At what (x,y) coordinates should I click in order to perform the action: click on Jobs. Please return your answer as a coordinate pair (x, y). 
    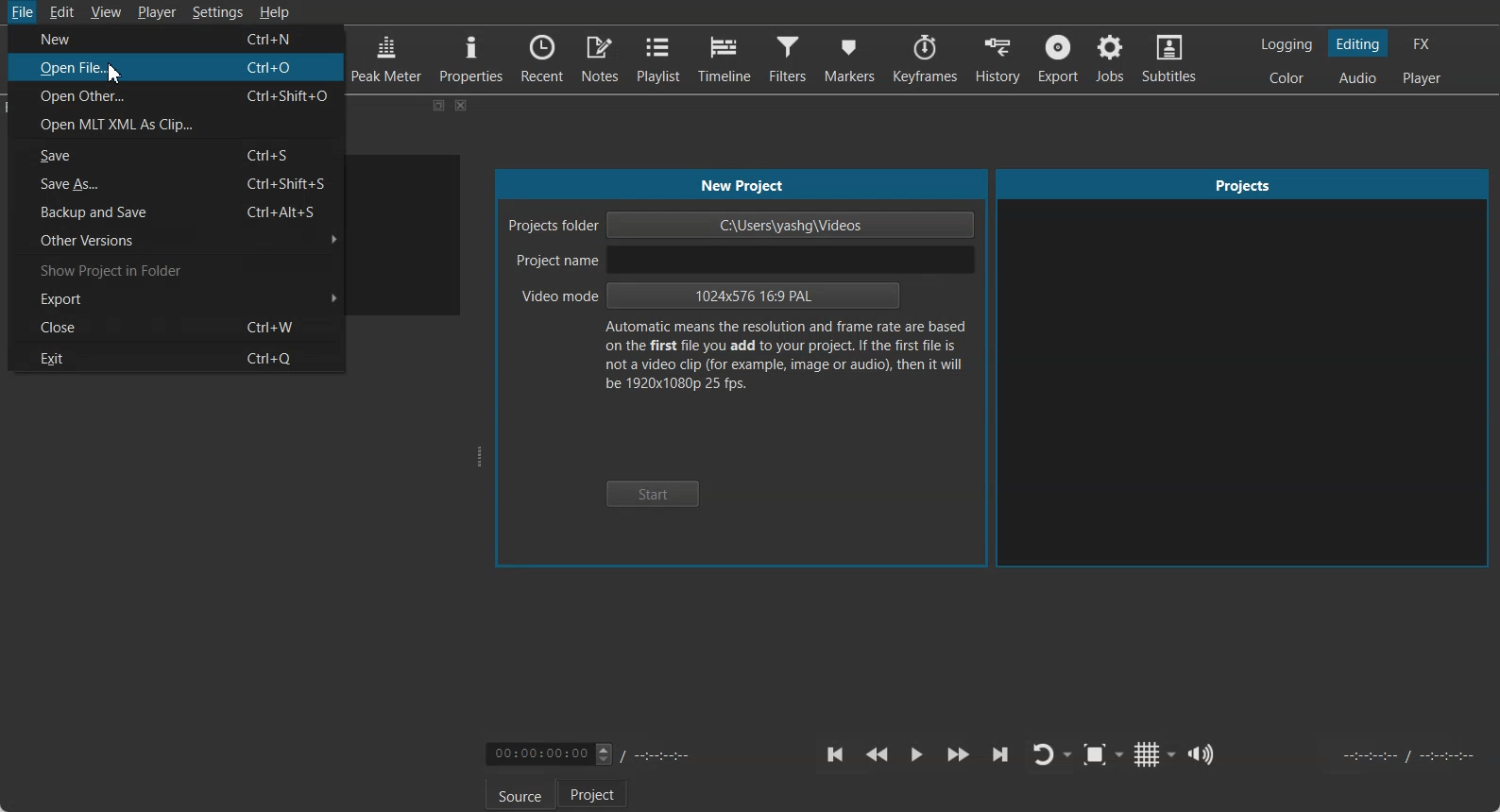
    Looking at the image, I should click on (1112, 59).